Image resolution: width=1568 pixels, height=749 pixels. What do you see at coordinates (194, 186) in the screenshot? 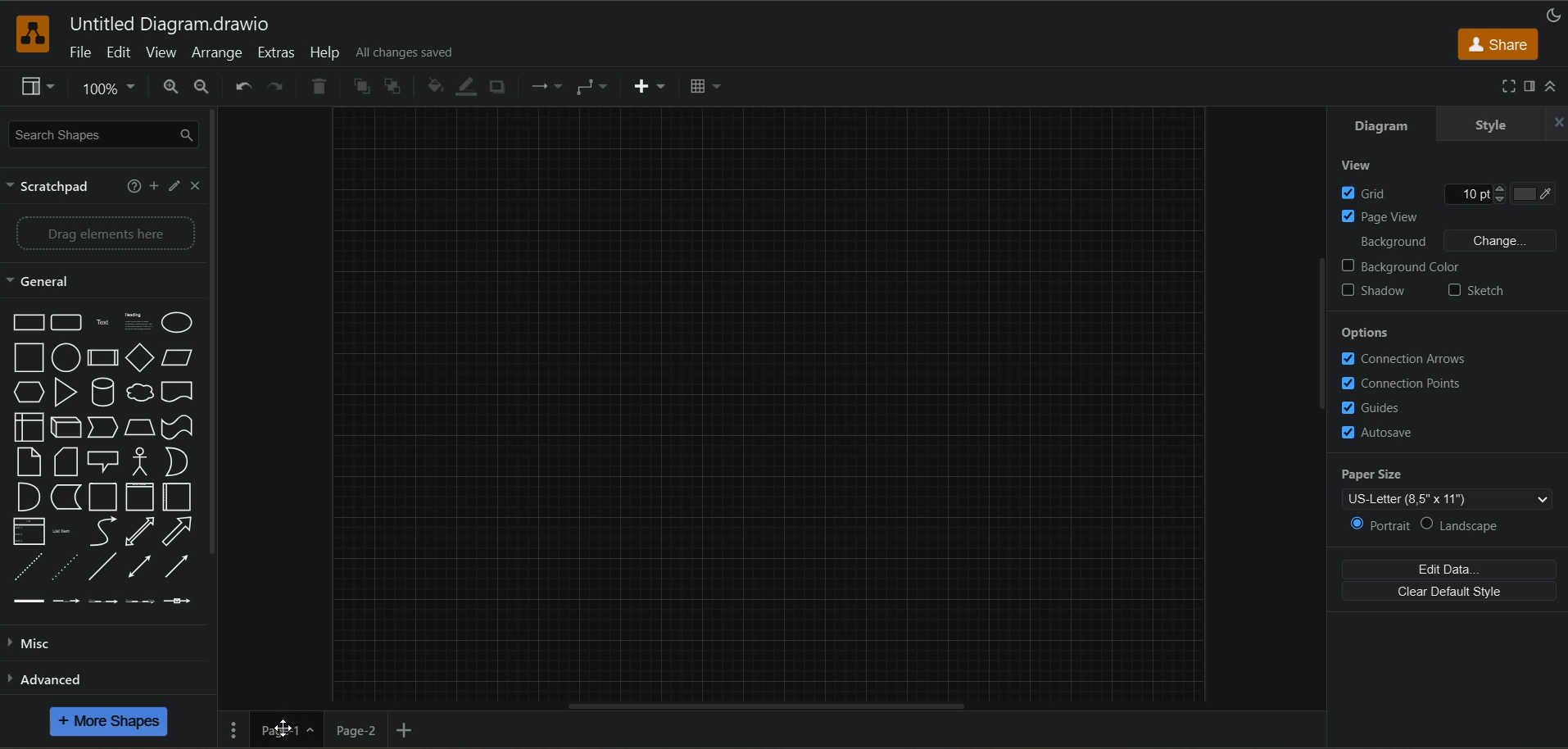
I see `close` at bounding box center [194, 186].